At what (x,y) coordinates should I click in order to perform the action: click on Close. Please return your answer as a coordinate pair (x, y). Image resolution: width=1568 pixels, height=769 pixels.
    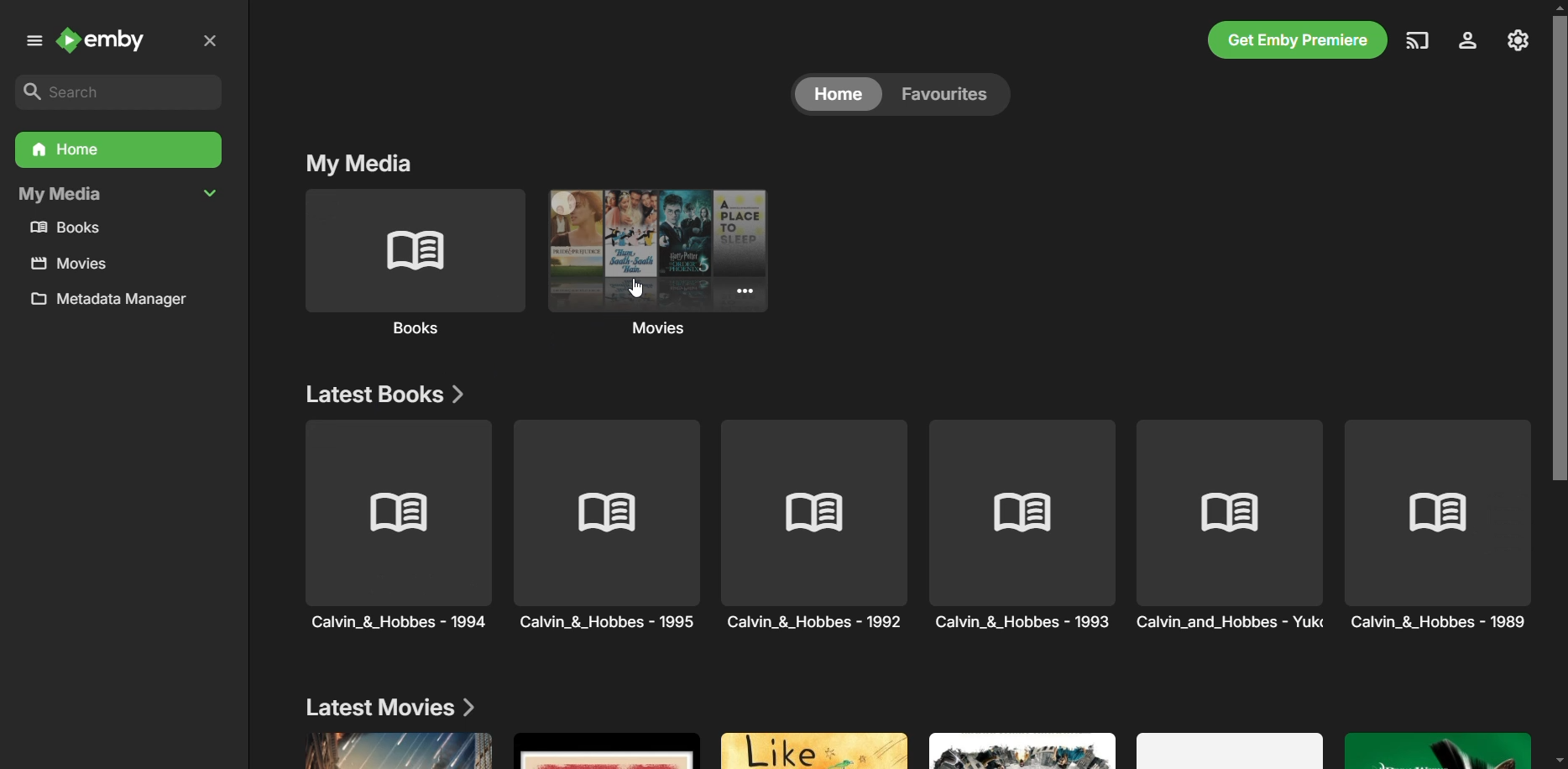
    Looking at the image, I should click on (210, 42).